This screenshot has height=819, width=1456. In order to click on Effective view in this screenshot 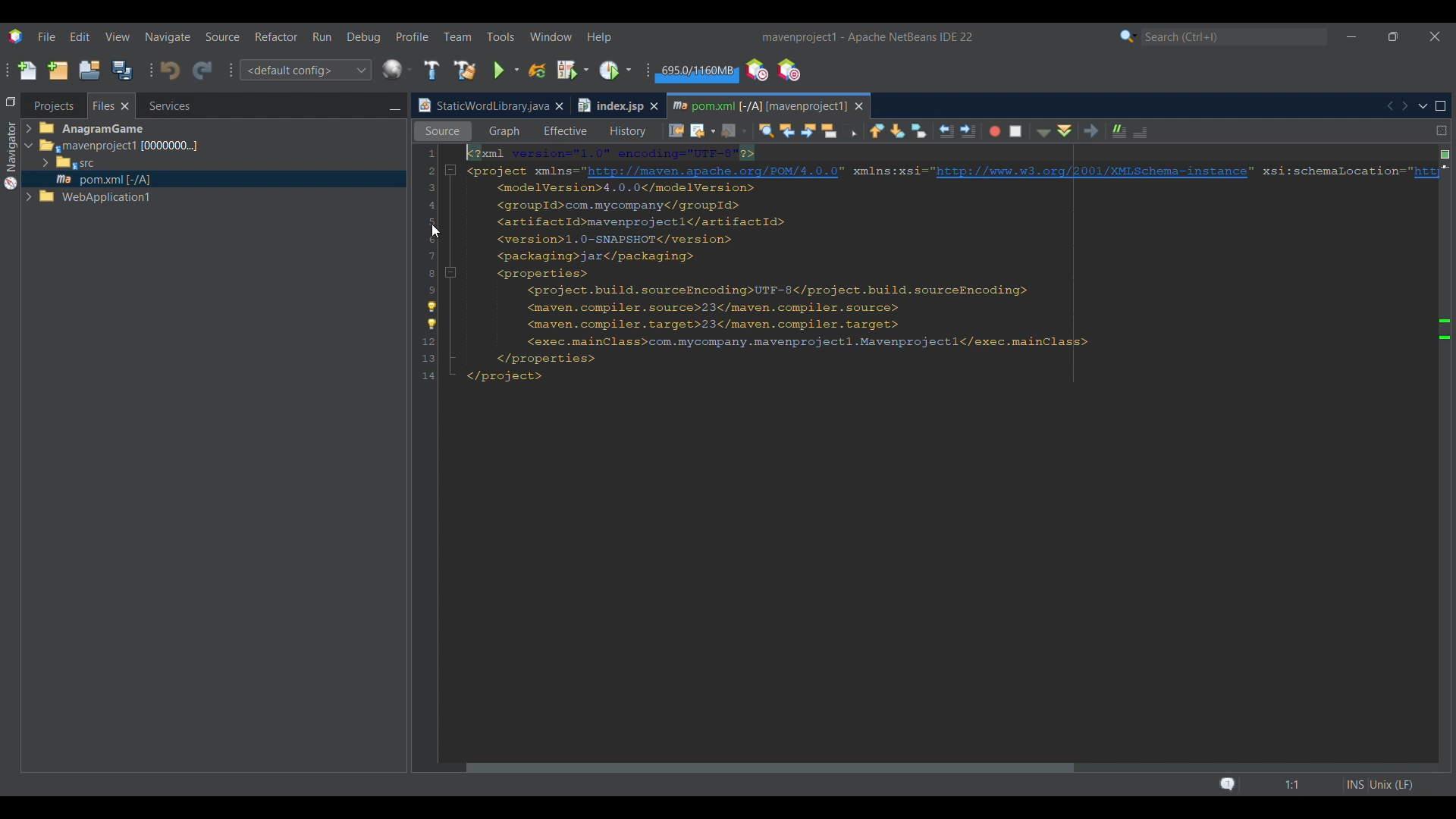, I will do `click(565, 131)`.